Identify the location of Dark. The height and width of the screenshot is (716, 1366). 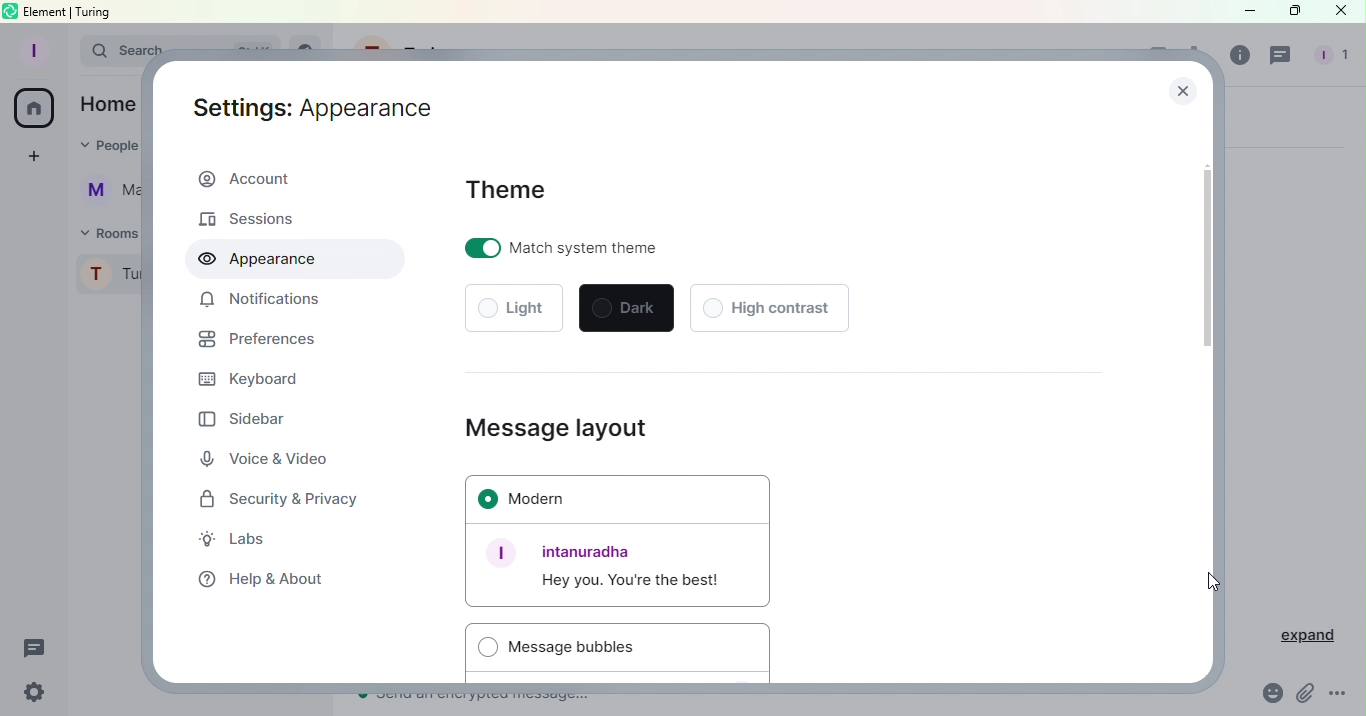
(634, 307).